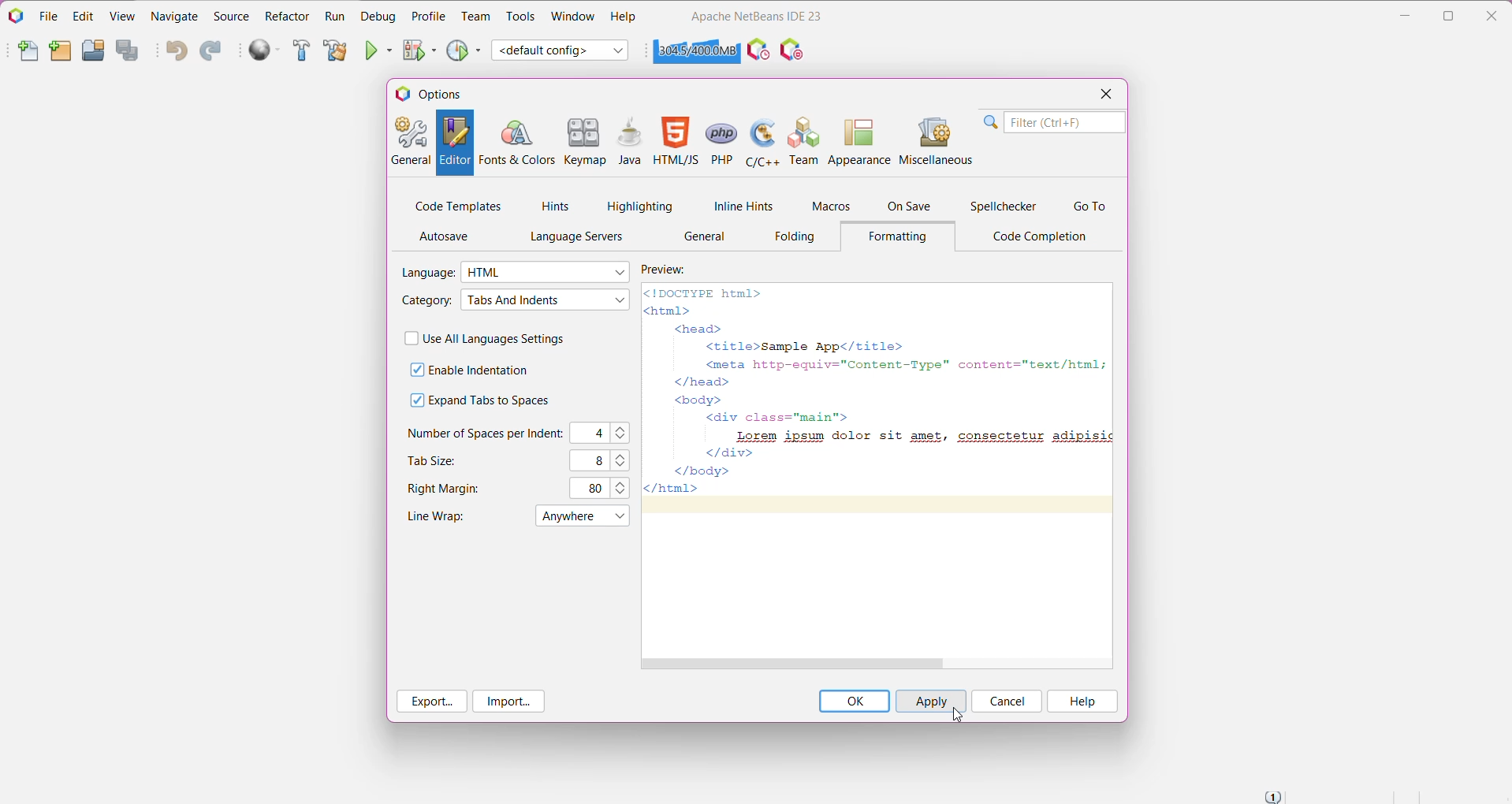  Describe the element at coordinates (231, 17) in the screenshot. I see `Source` at that location.